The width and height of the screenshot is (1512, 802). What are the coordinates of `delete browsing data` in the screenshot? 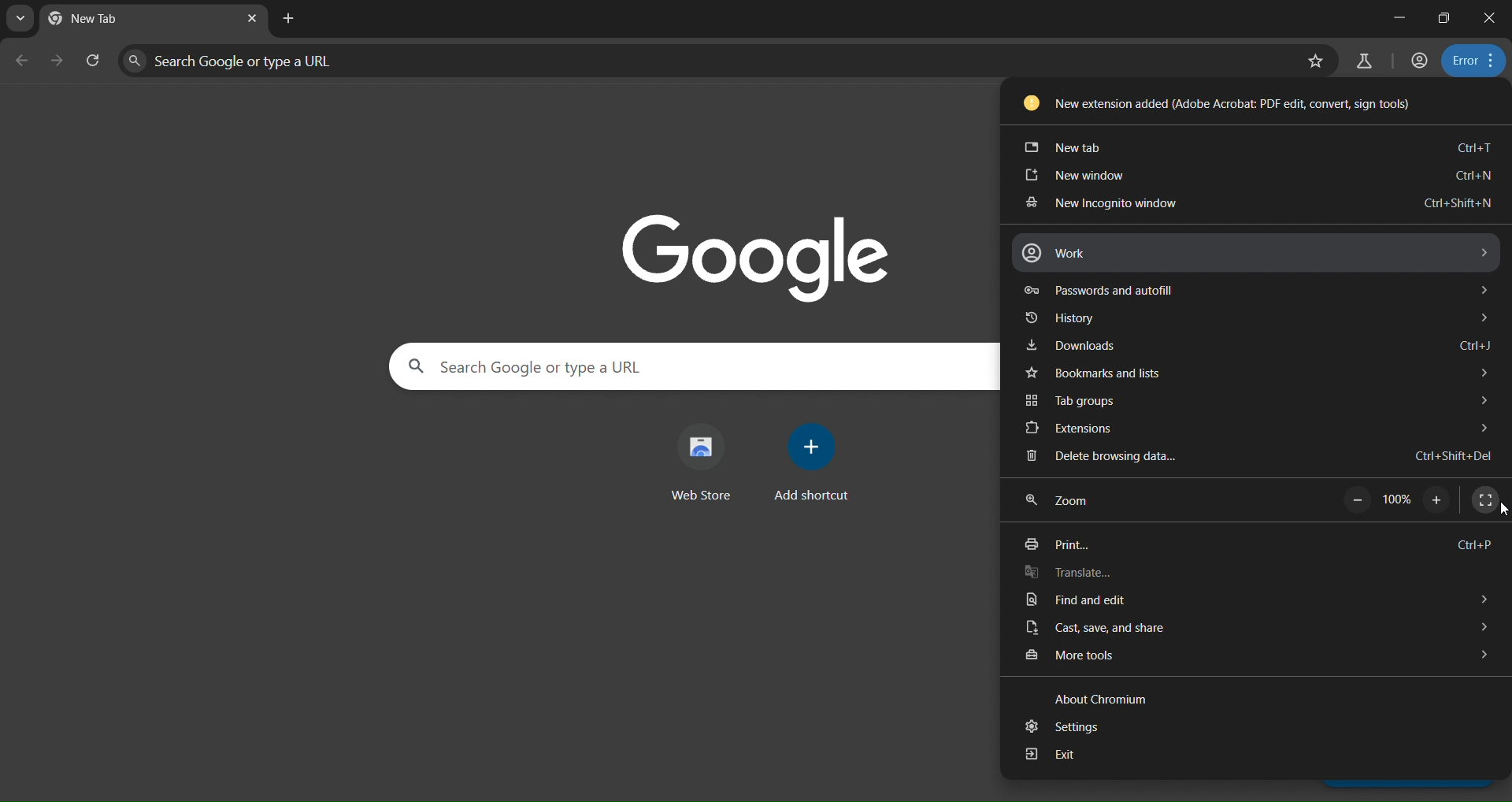 It's located at (1249, 458).